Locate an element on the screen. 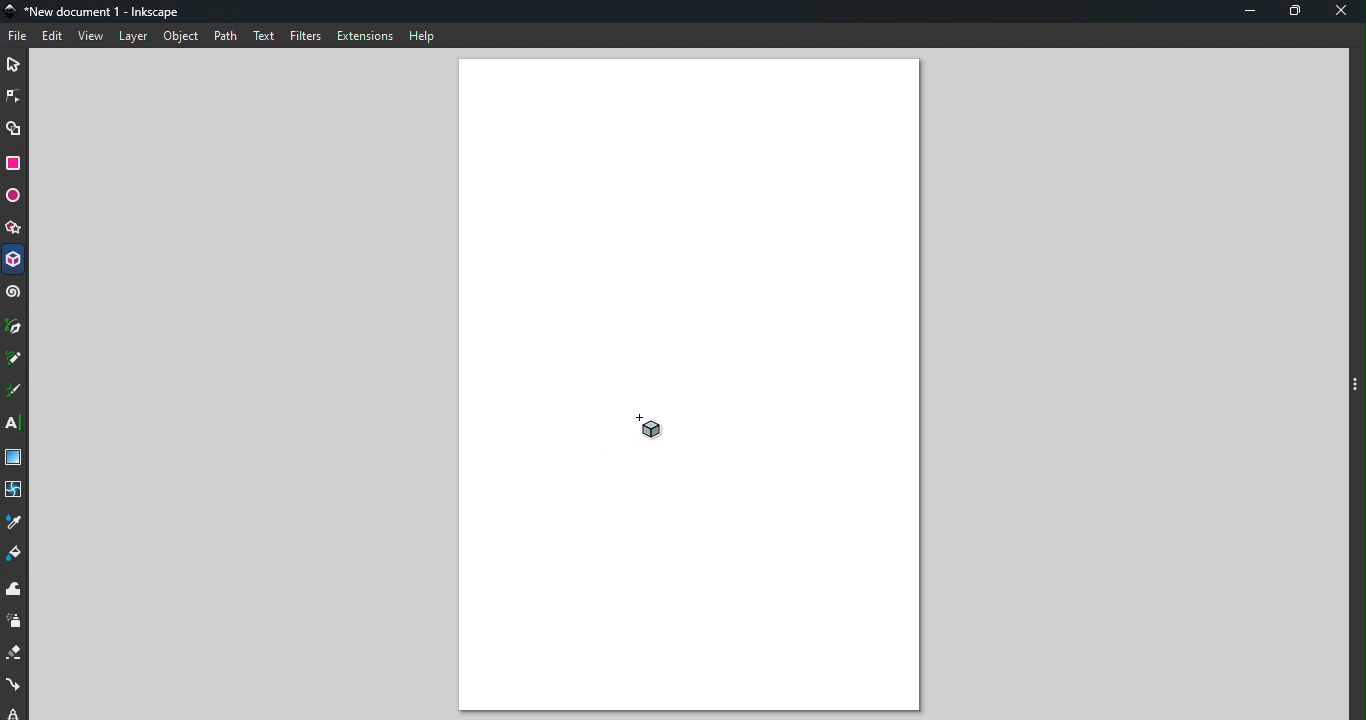  Calligraphy tool is located at coordinates (16, 392).